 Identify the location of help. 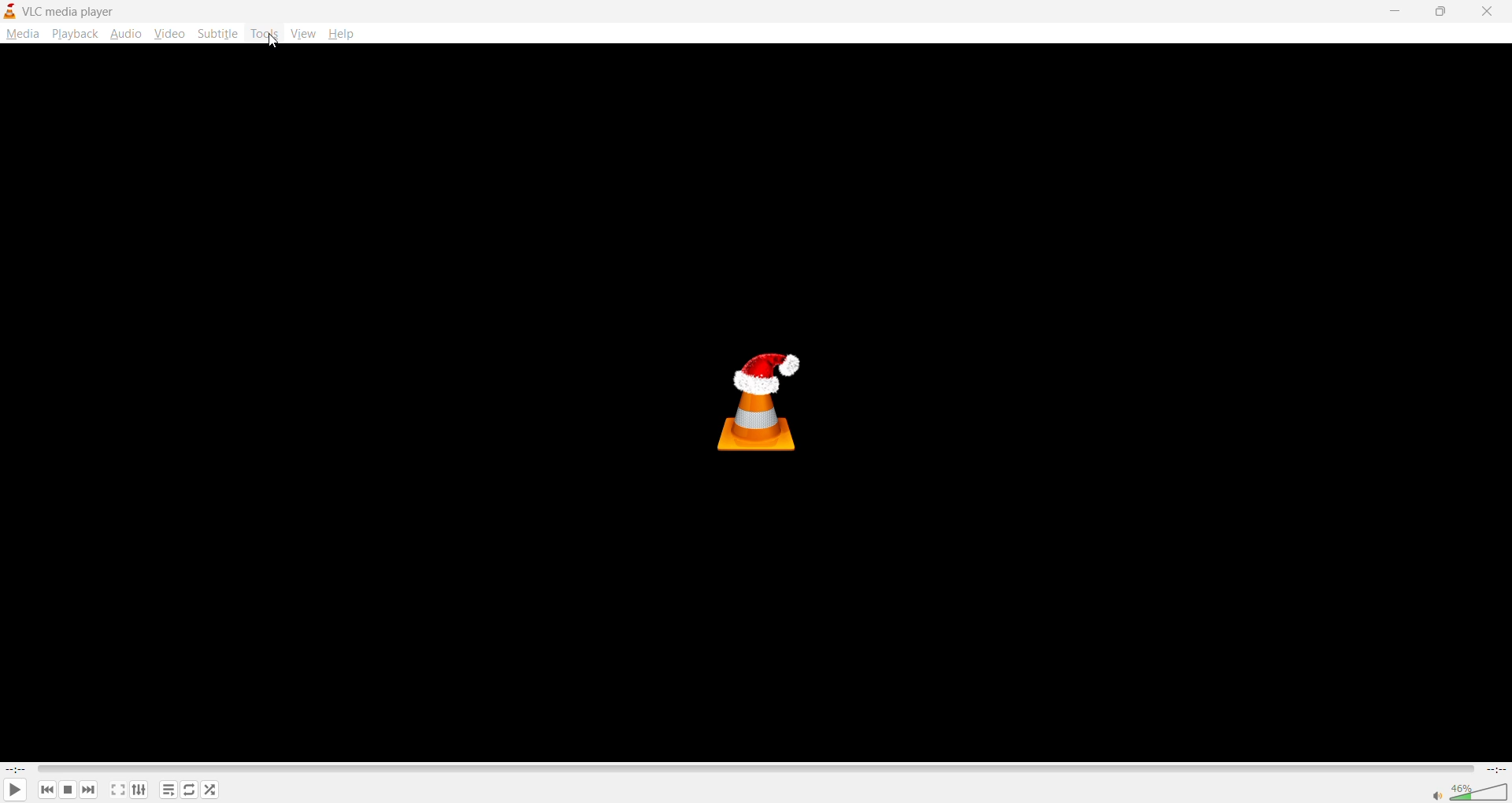
(340, 33).